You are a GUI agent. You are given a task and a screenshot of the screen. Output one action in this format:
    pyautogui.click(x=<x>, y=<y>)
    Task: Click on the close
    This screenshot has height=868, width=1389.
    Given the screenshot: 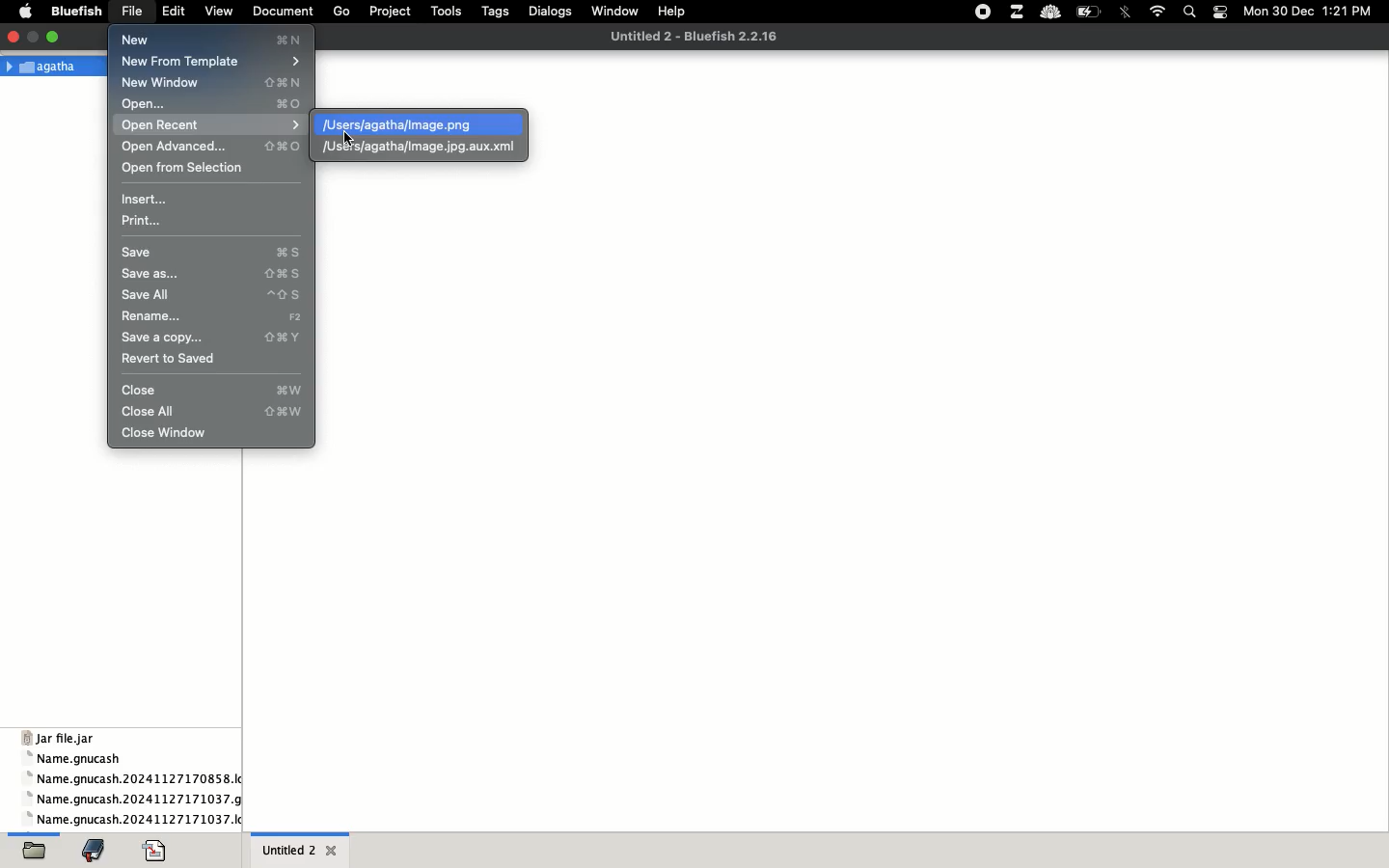 What is the action you would take?
    pyautogui.click(x=333, y=851)
    